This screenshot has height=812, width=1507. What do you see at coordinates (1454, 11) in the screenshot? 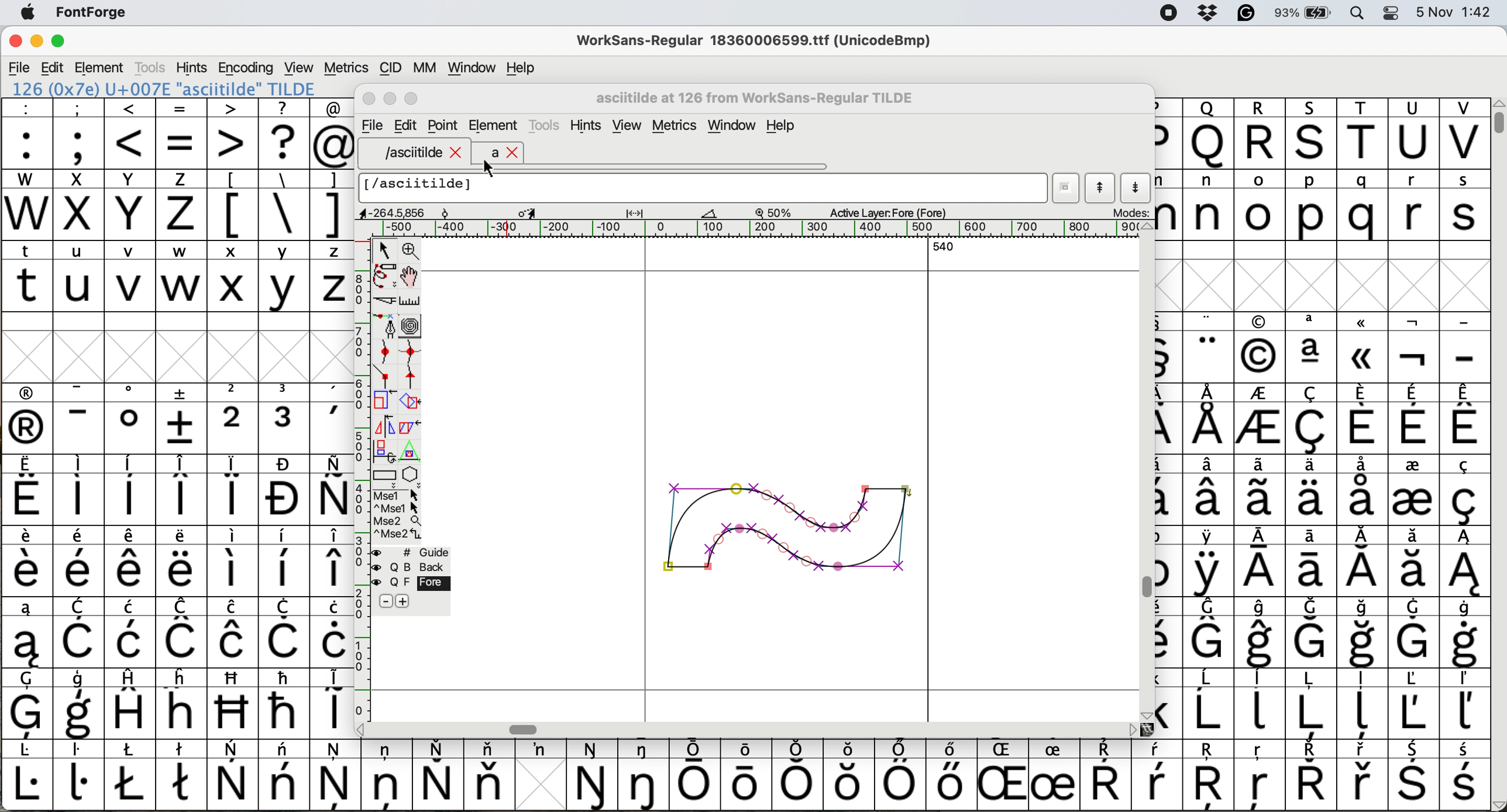
I see `date and time` at bounding box center [1454, 11].